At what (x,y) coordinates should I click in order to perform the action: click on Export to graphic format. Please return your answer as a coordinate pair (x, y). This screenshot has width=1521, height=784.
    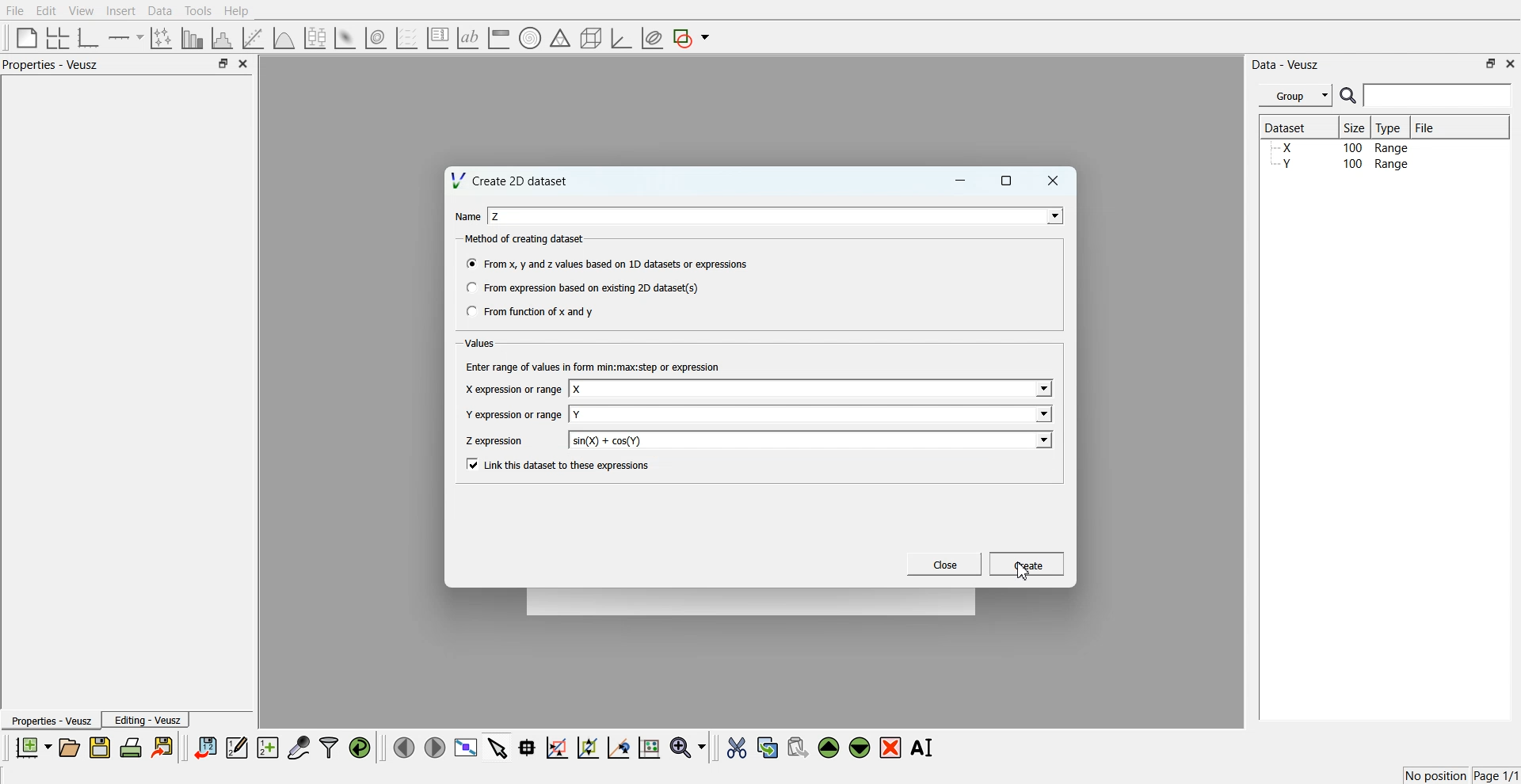
    Looking at the image, I should click on (164, 747).